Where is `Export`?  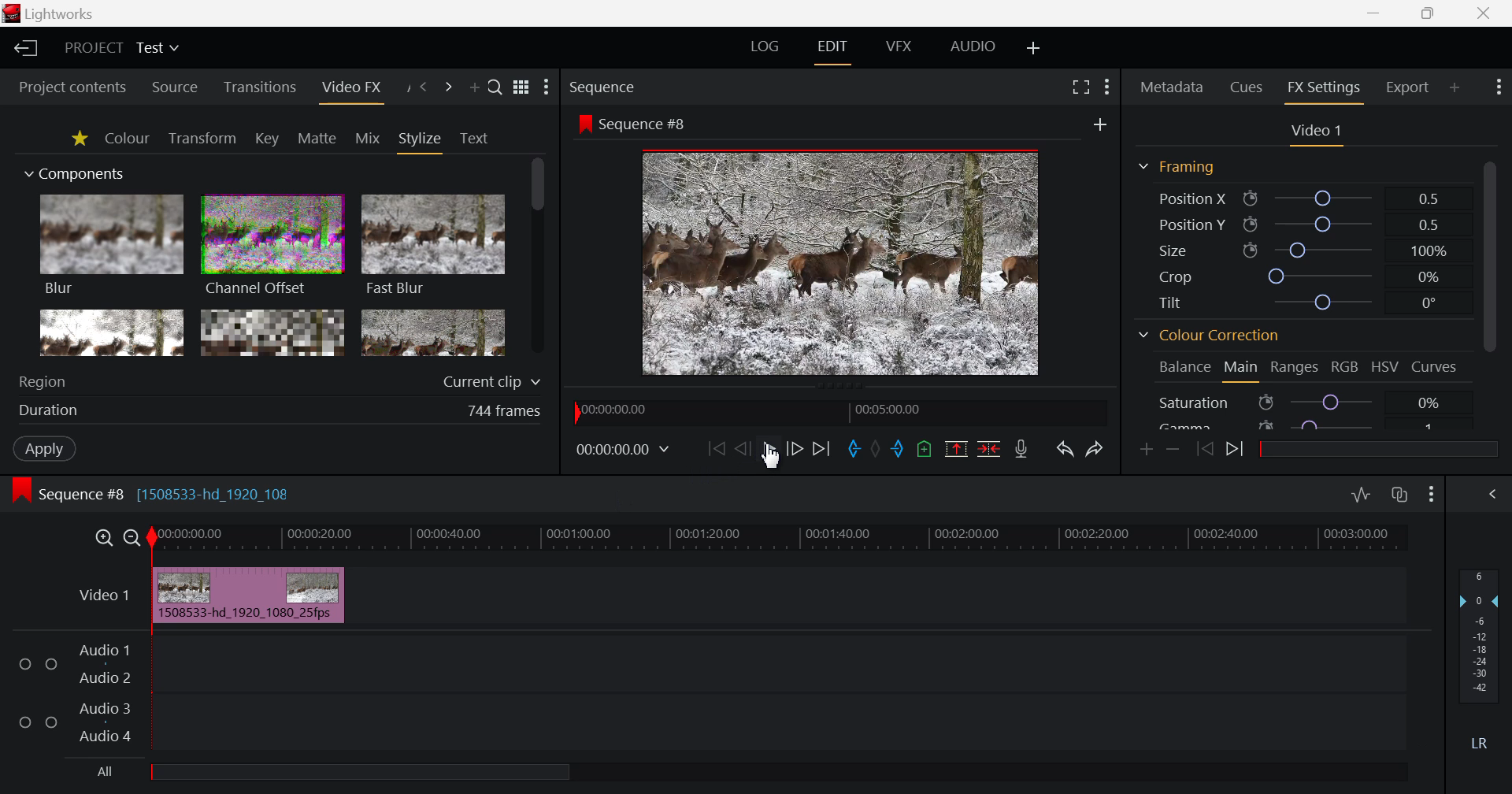 Export is located at coordinates (1409, 87).